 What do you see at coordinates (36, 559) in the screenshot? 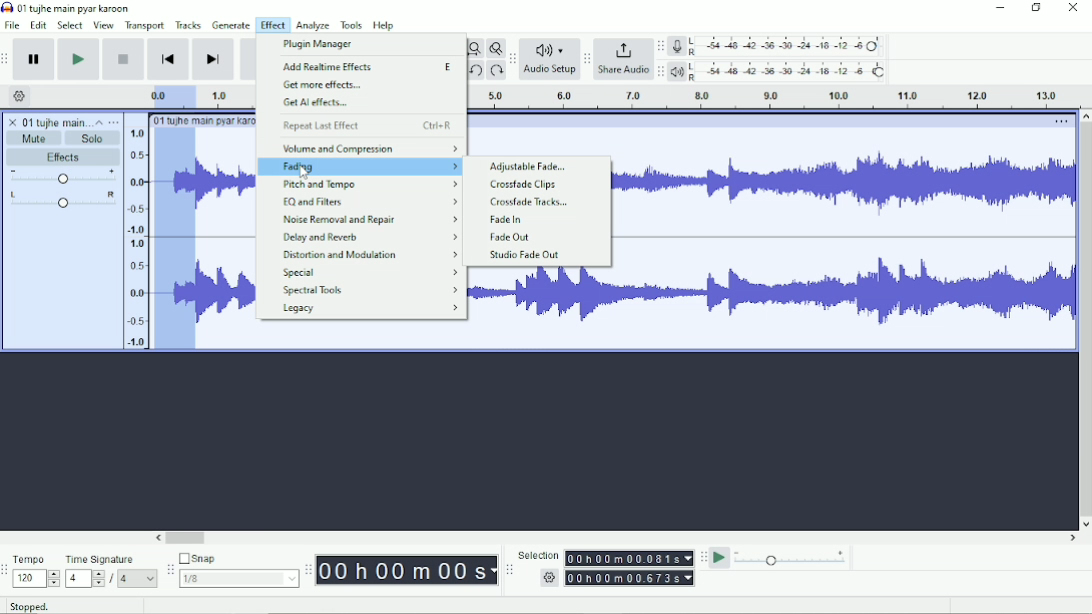
I see `Tempo` at bounding box center [36, 559].